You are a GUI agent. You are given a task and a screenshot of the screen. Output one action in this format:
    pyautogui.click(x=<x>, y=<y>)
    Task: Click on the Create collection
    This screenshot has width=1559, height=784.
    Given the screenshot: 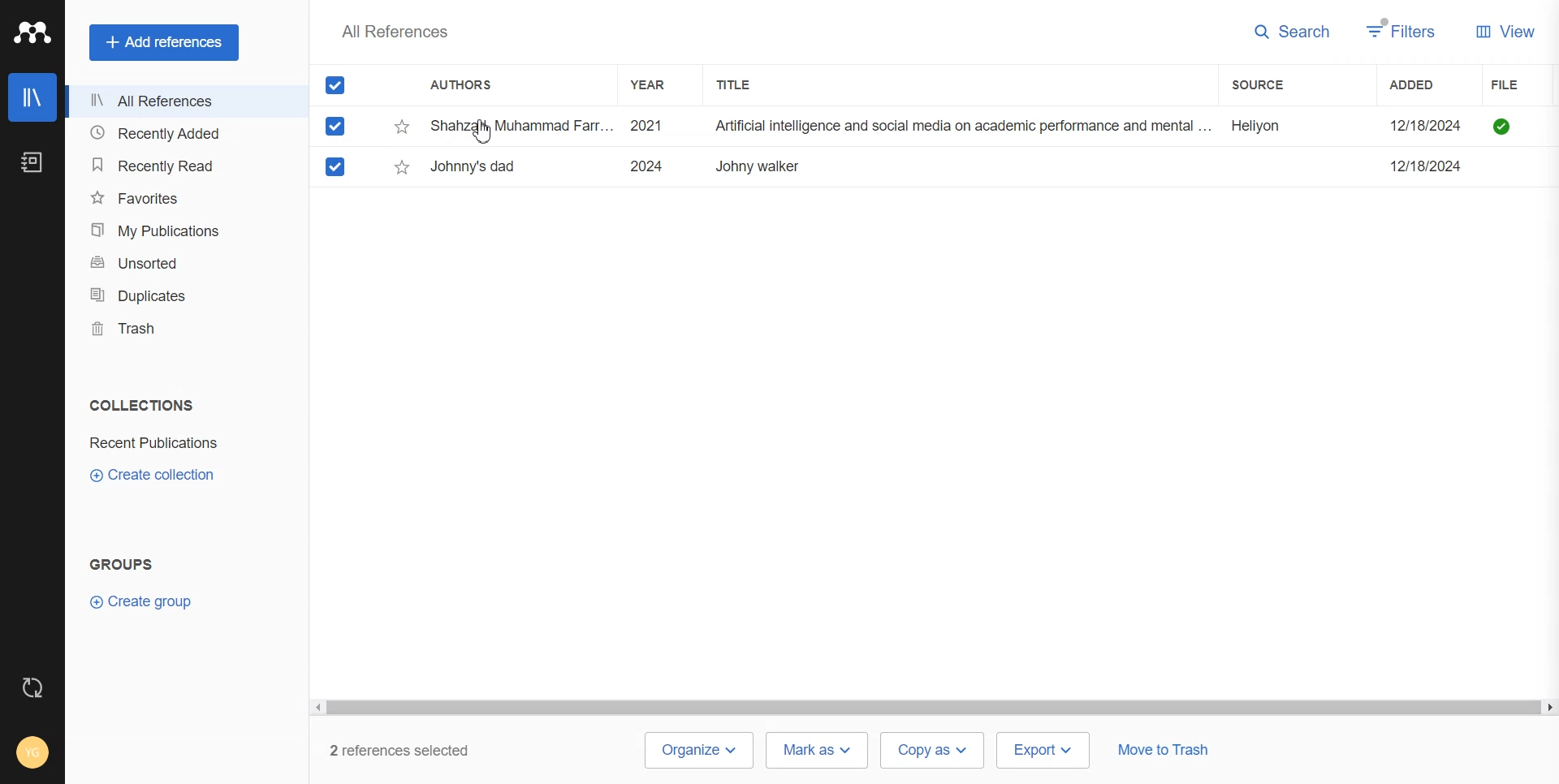 What is the action you would take?
    pyautogui.click(x=153, y=474)
    